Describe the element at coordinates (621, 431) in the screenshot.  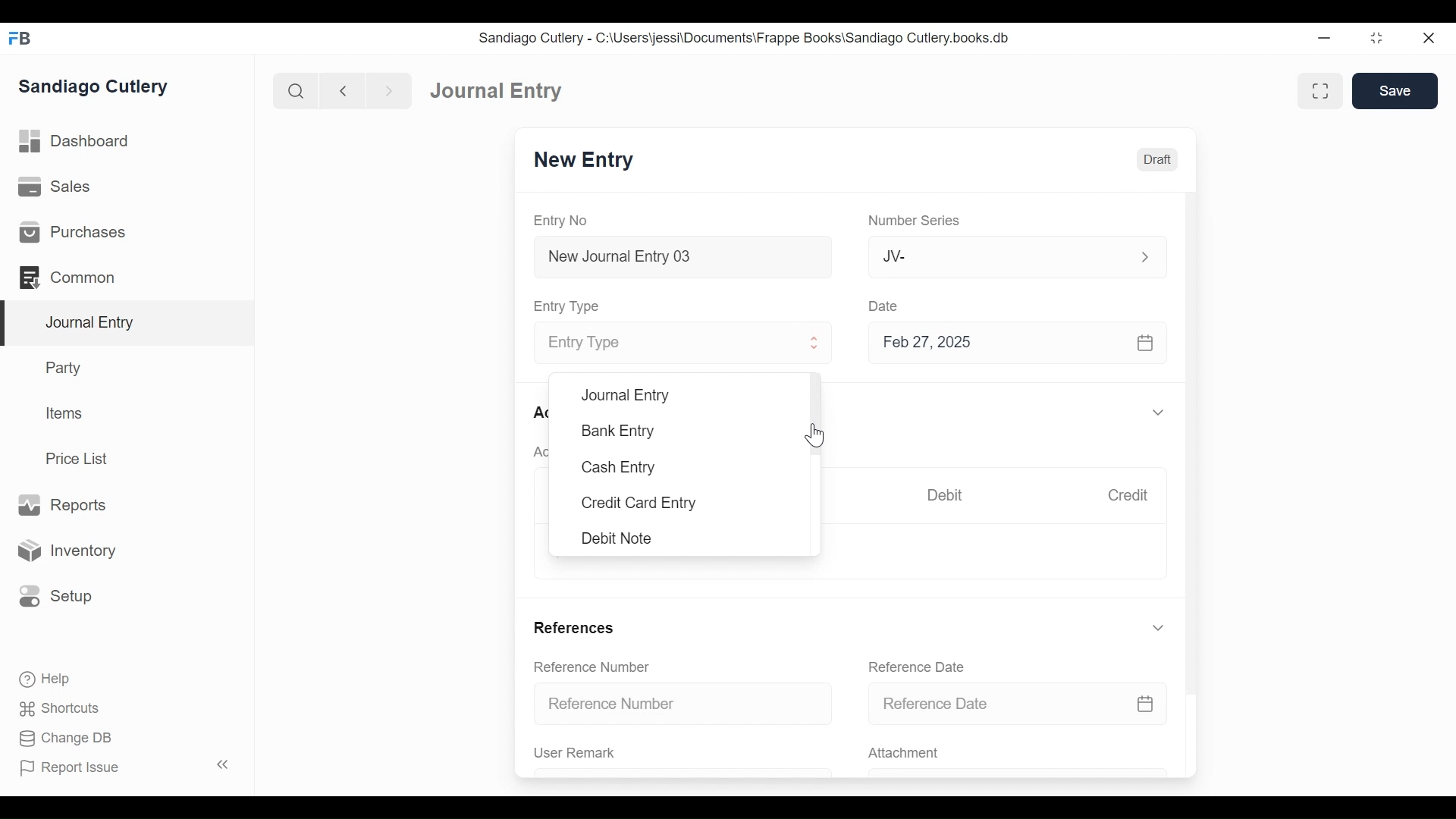
I see `Bank Entry` at that location.